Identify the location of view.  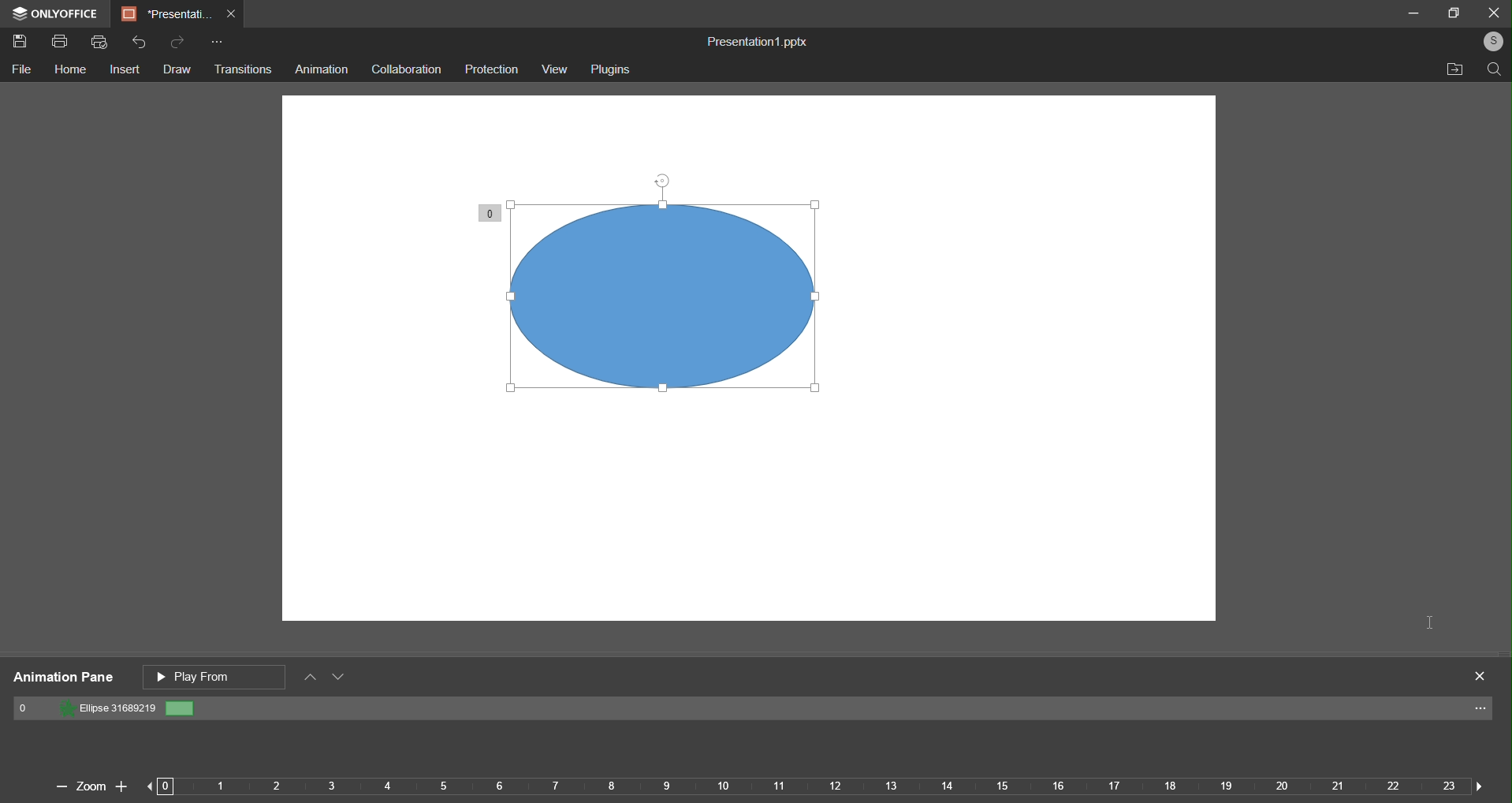
(553, 69).